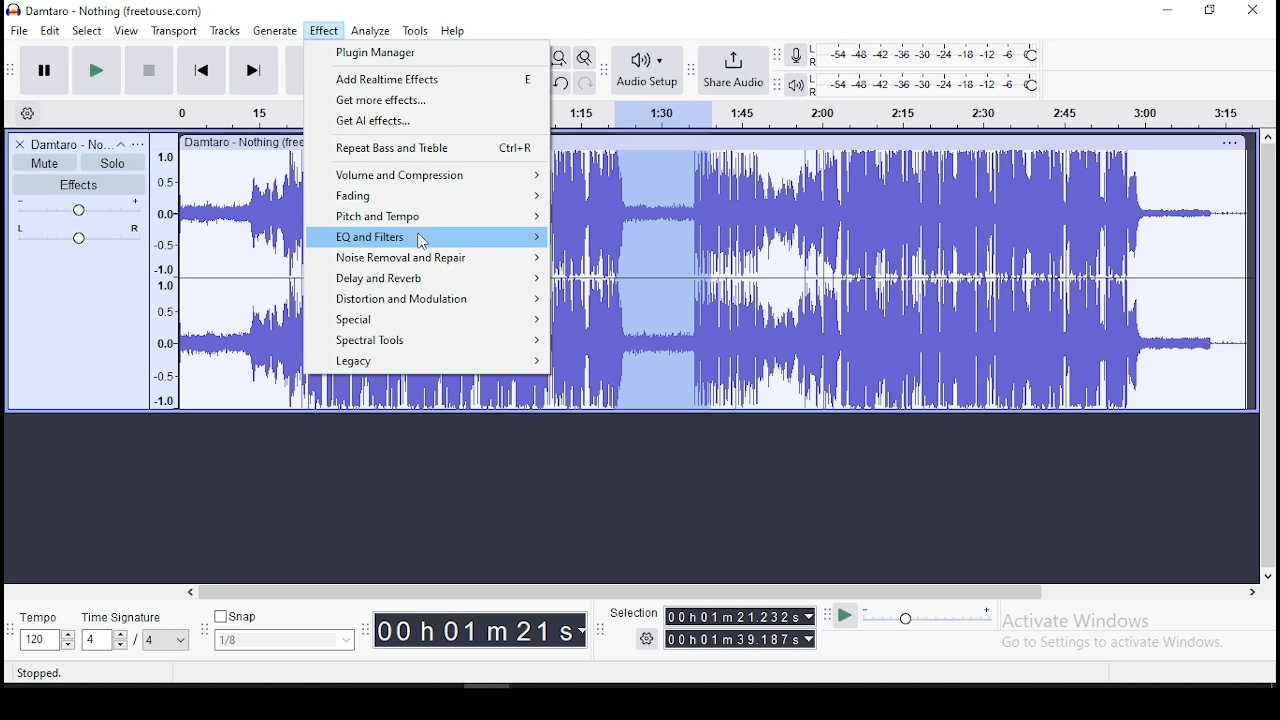 The image size is (1280, 720). Describe the element at coordinates (927, 54) in the screenshot. I see `recording level` at that location.